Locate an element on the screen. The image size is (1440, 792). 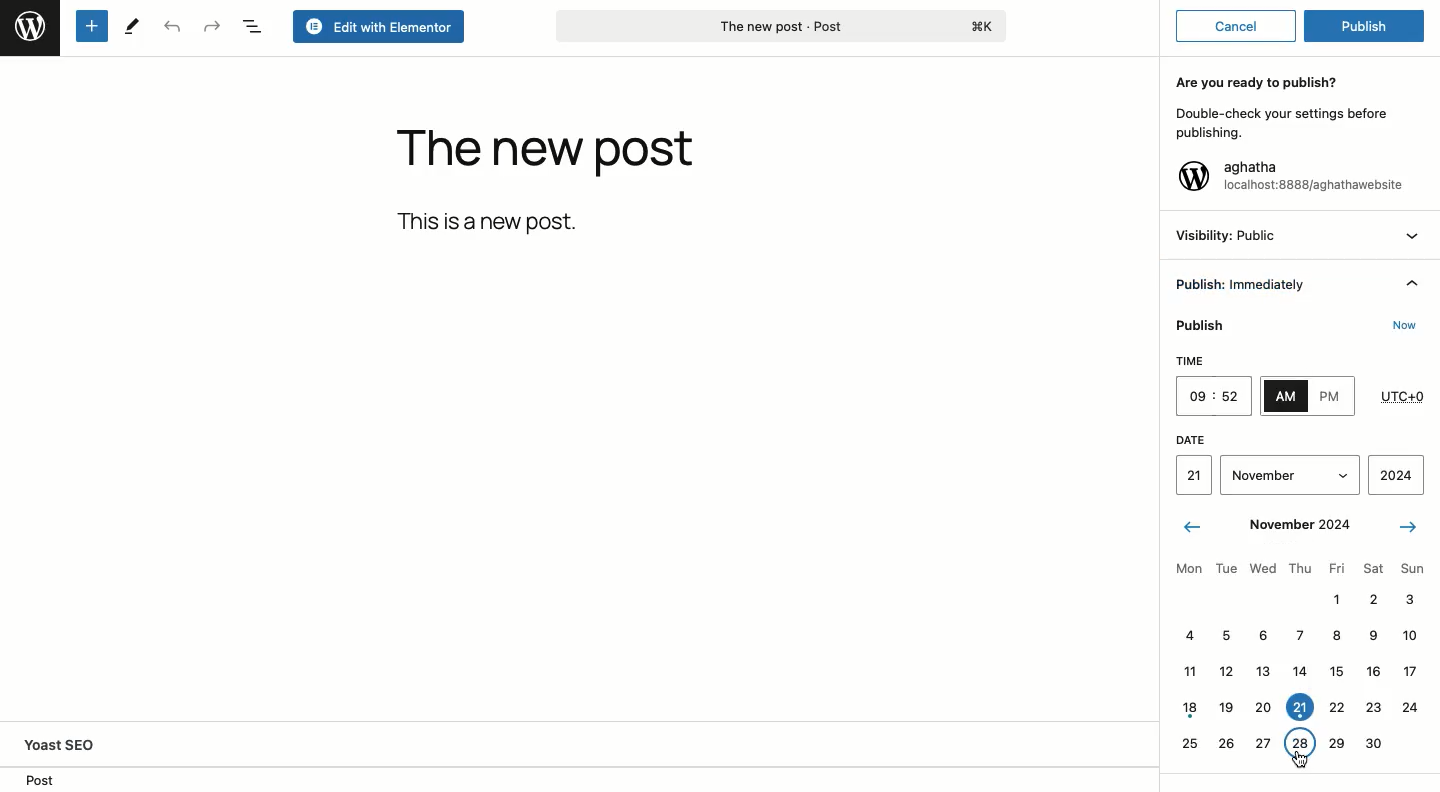
Are you ready to publish? is located at coordinates (1258, 83).